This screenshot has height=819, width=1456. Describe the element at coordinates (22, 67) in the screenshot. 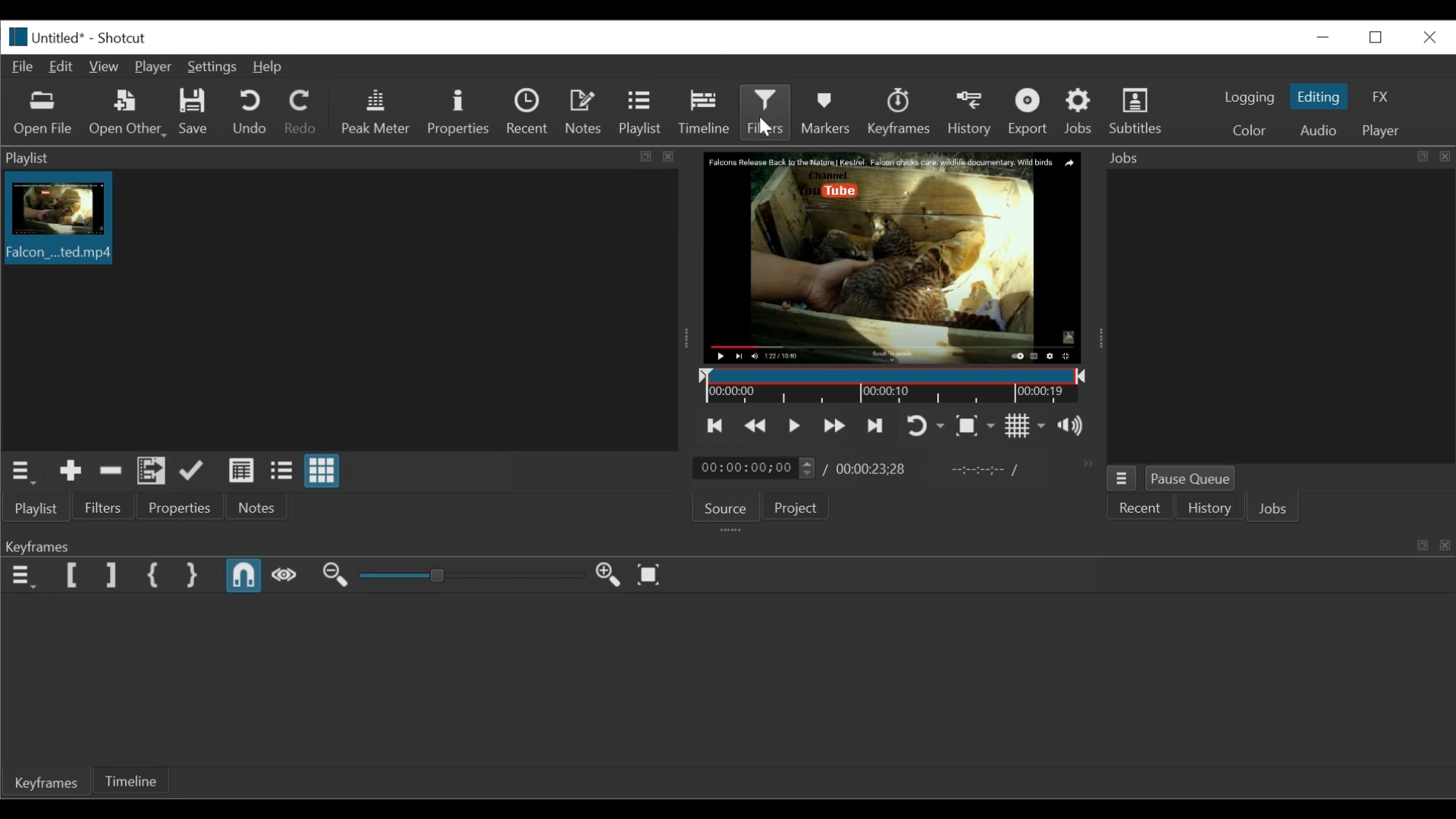

I see `File` at that location.